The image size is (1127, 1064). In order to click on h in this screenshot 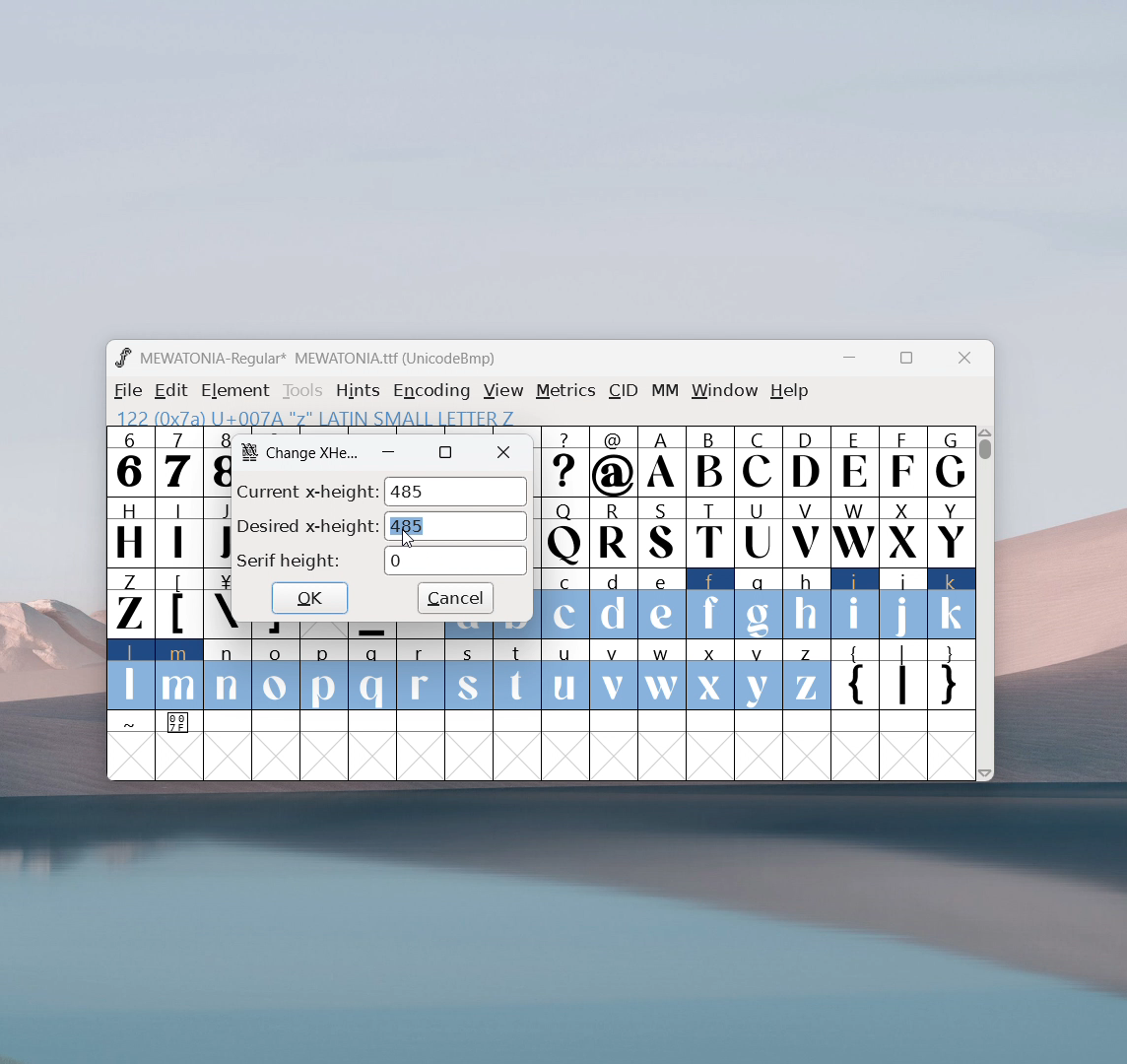, I will do `click(805, 601)`.